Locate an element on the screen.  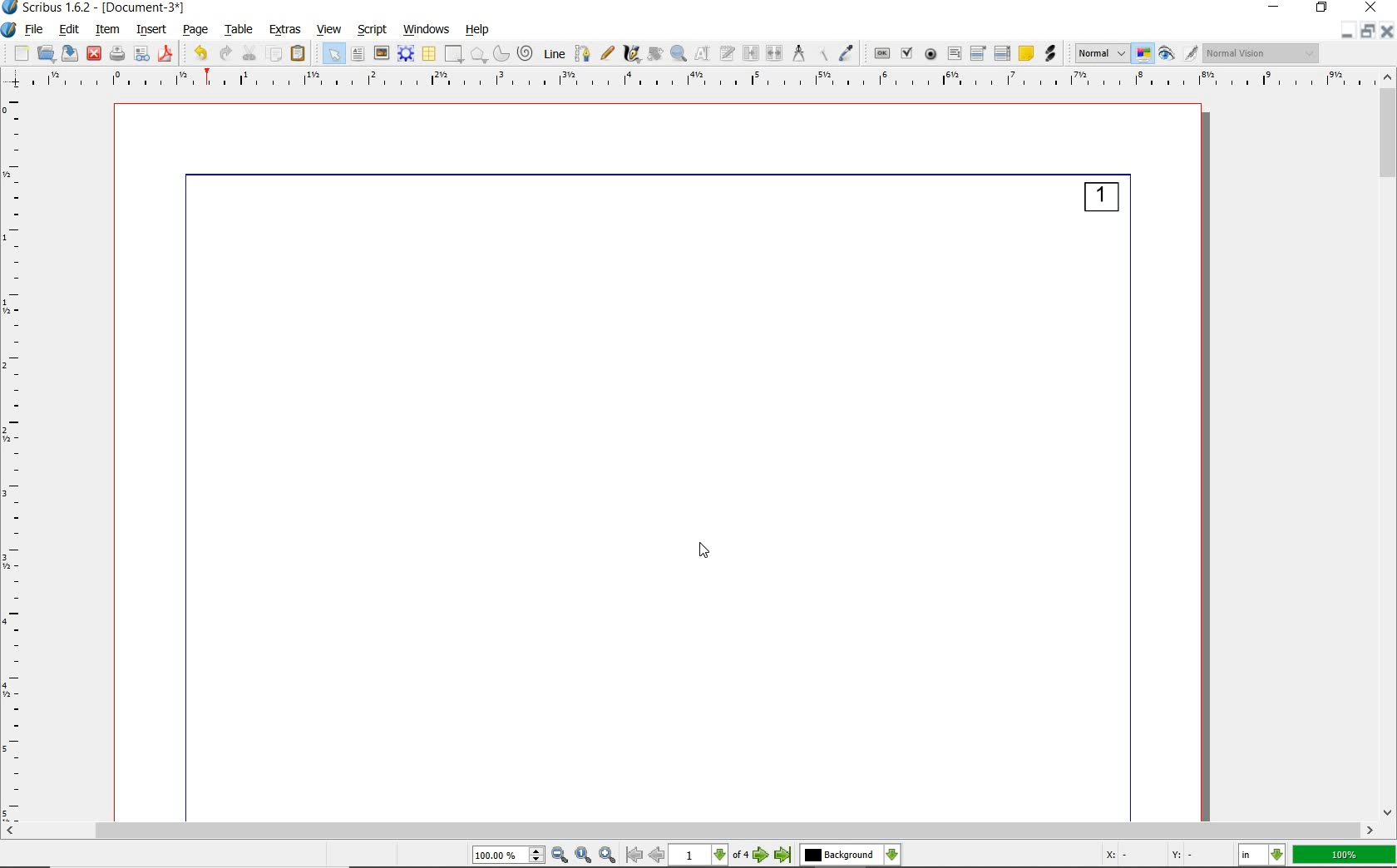
edit is located at coordinates (67, 28).